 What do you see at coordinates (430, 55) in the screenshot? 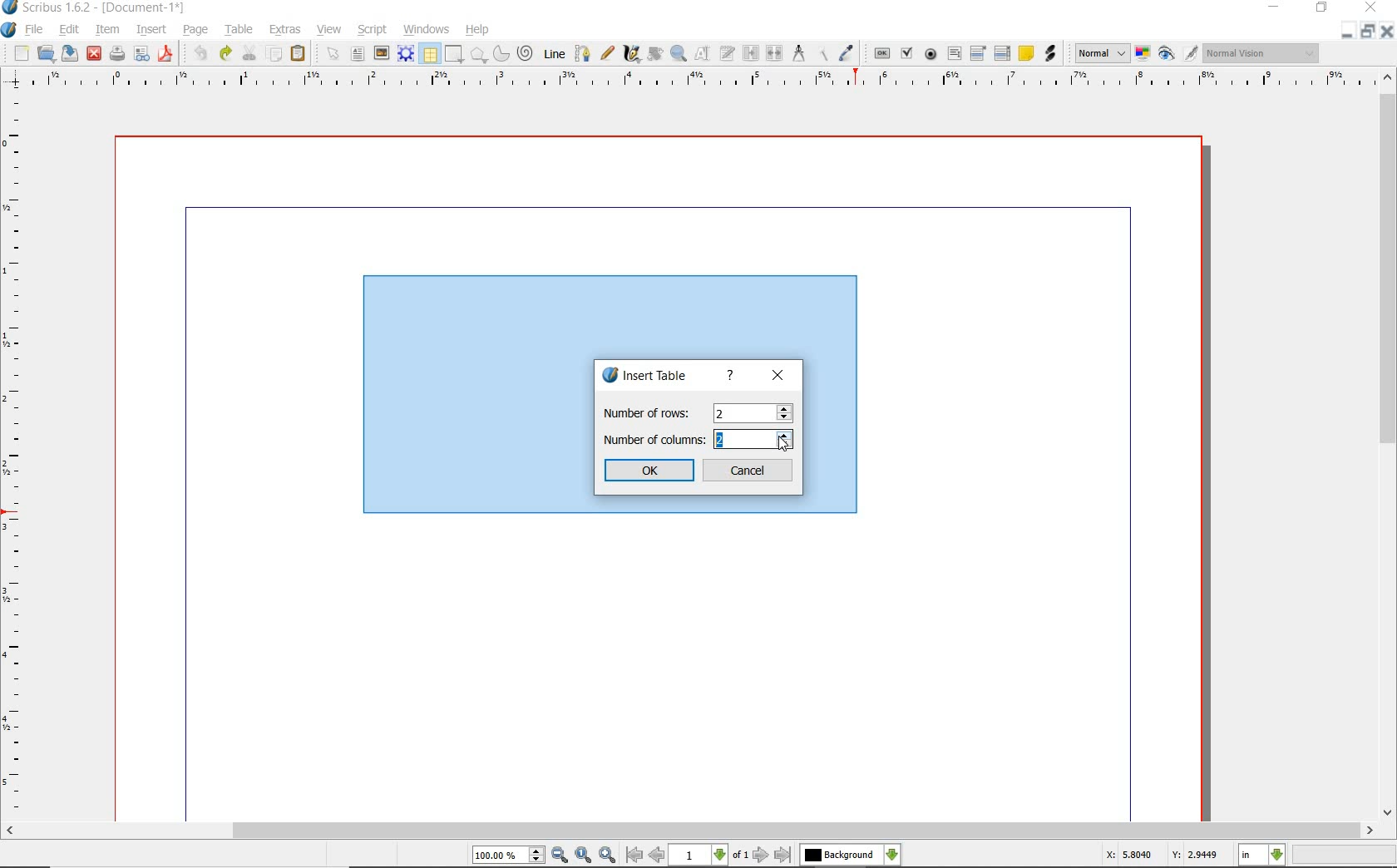
I see `table` at bounding box center [430, 55].